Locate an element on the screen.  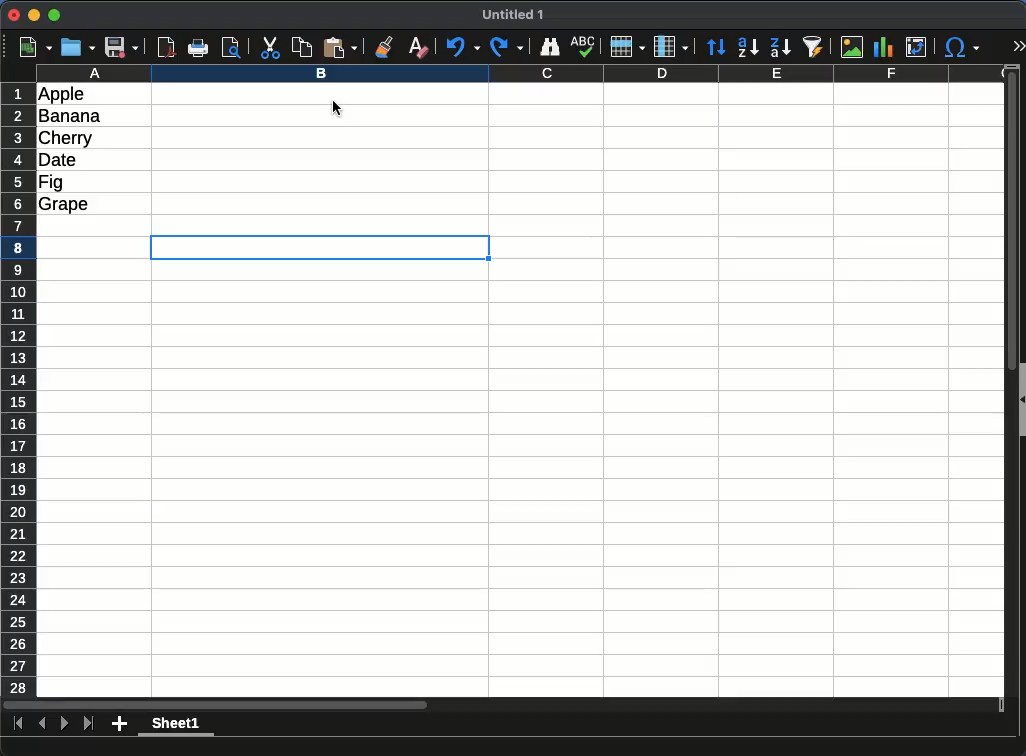
minimize is located at coordinates (35, 14).